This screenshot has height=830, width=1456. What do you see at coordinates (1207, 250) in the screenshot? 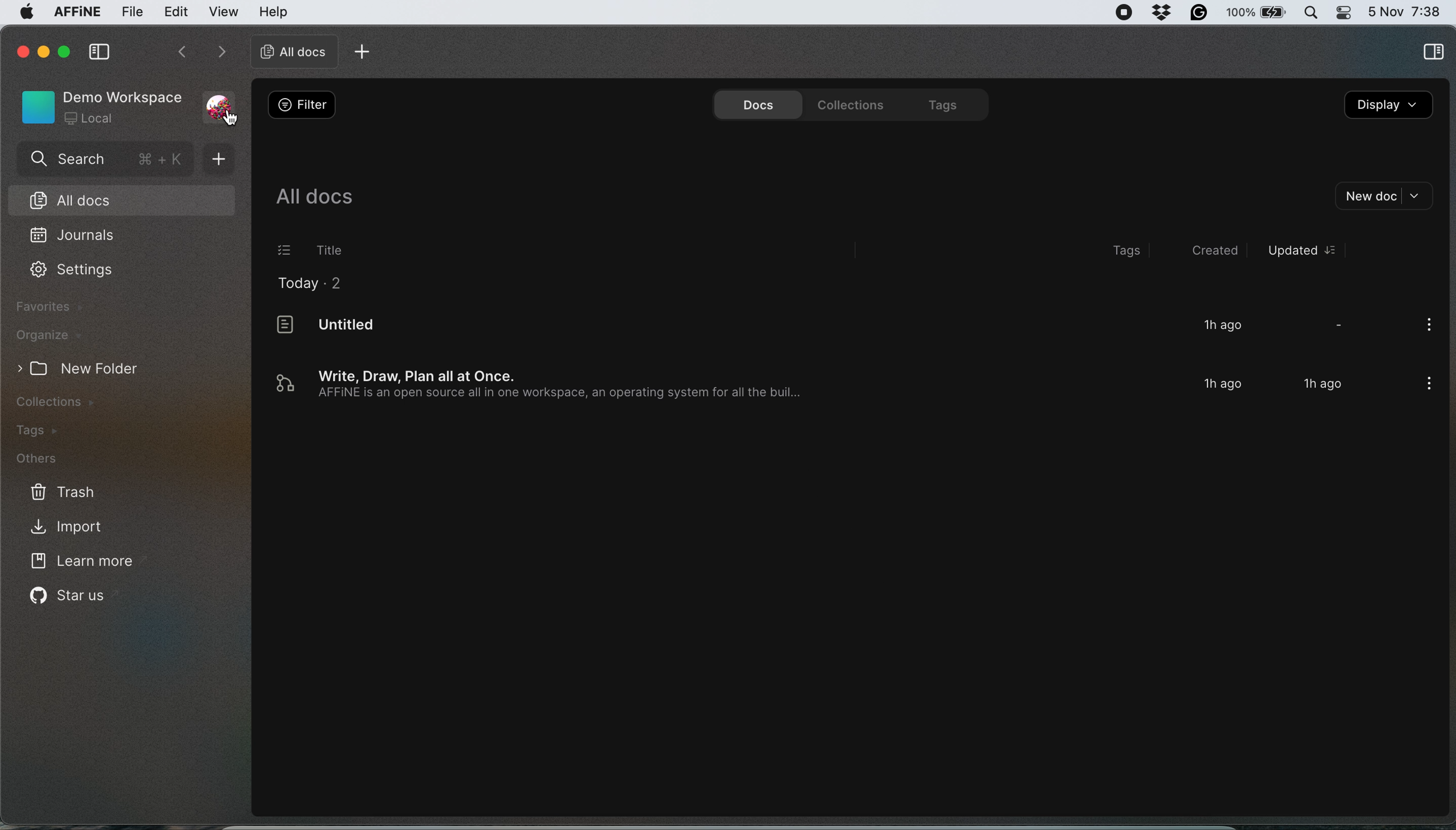
I see `created` at bounding box center [1207, 250].